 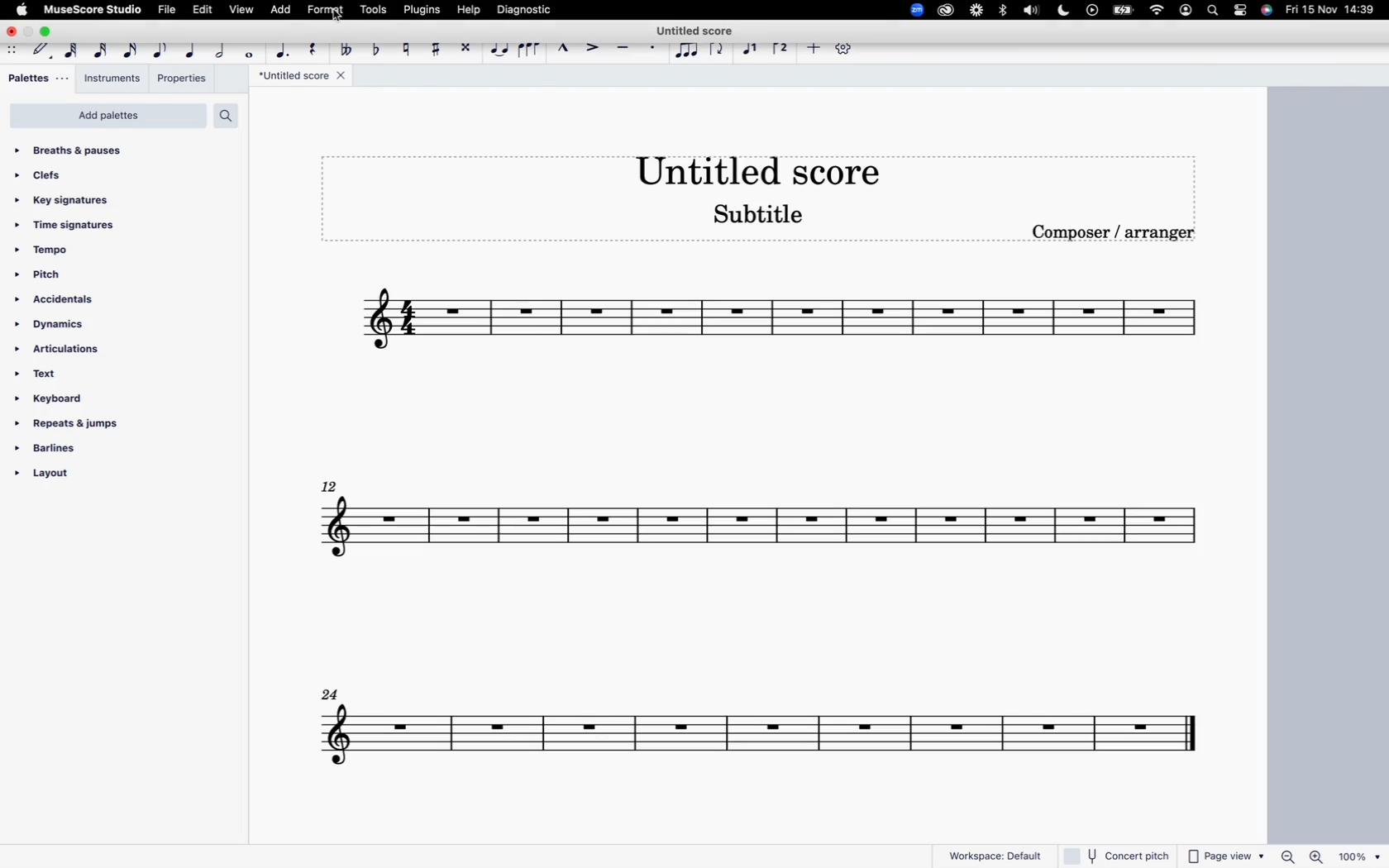 What do you see at coordinates (161, 50) in the screenshot?
I see `eighth note` at bounding box center [161, 50].